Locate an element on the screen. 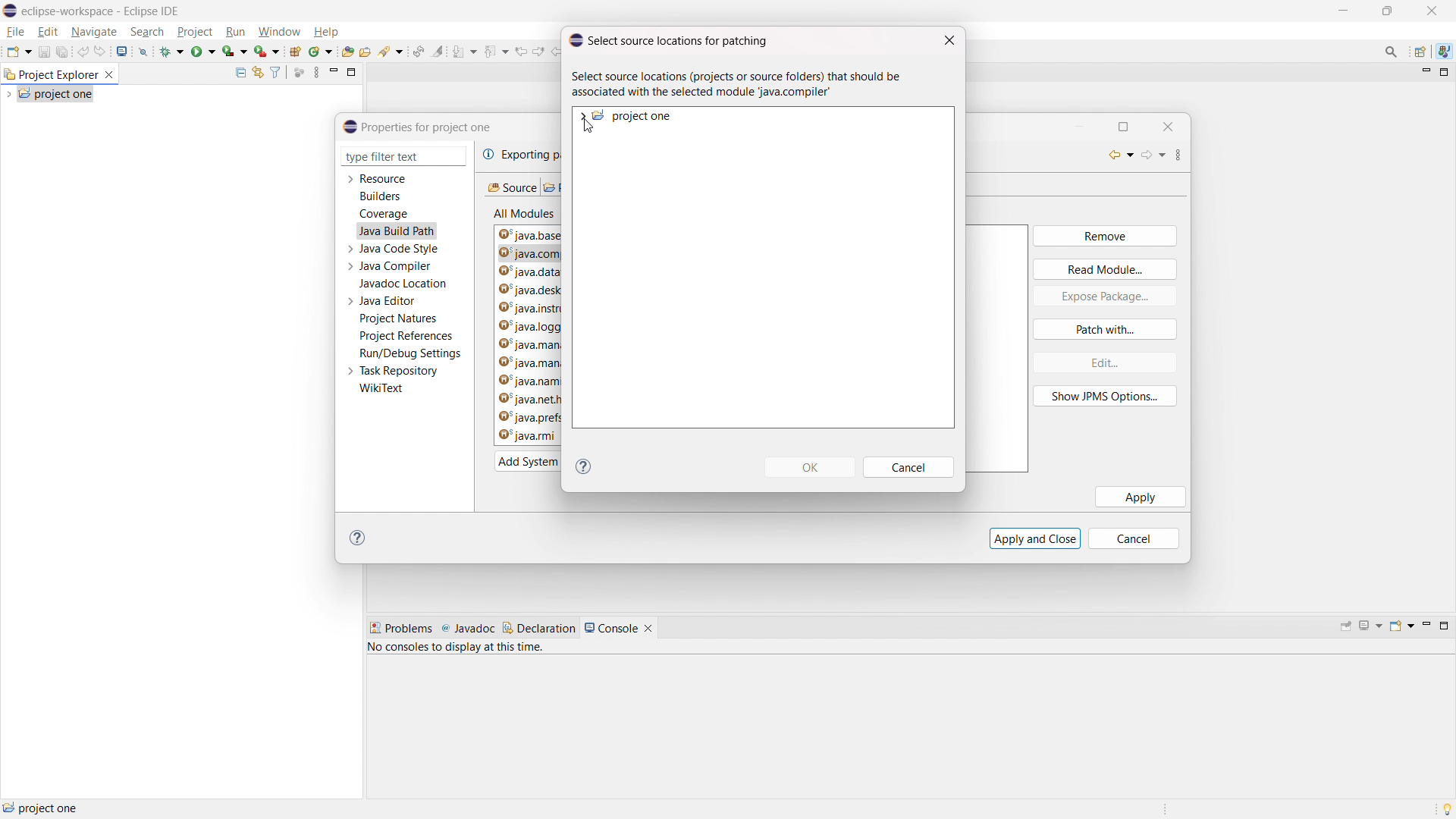  minimize is located at coordinates (1081, 125).